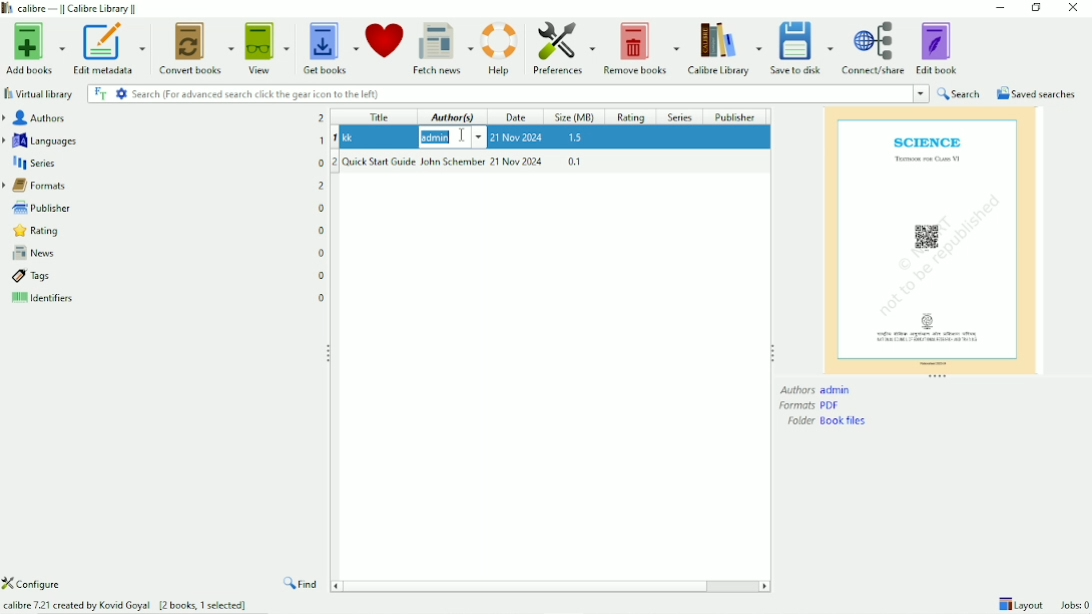 This screenshot has width=1092, height=614. I want to click on Fetch news, so click(443, 50).